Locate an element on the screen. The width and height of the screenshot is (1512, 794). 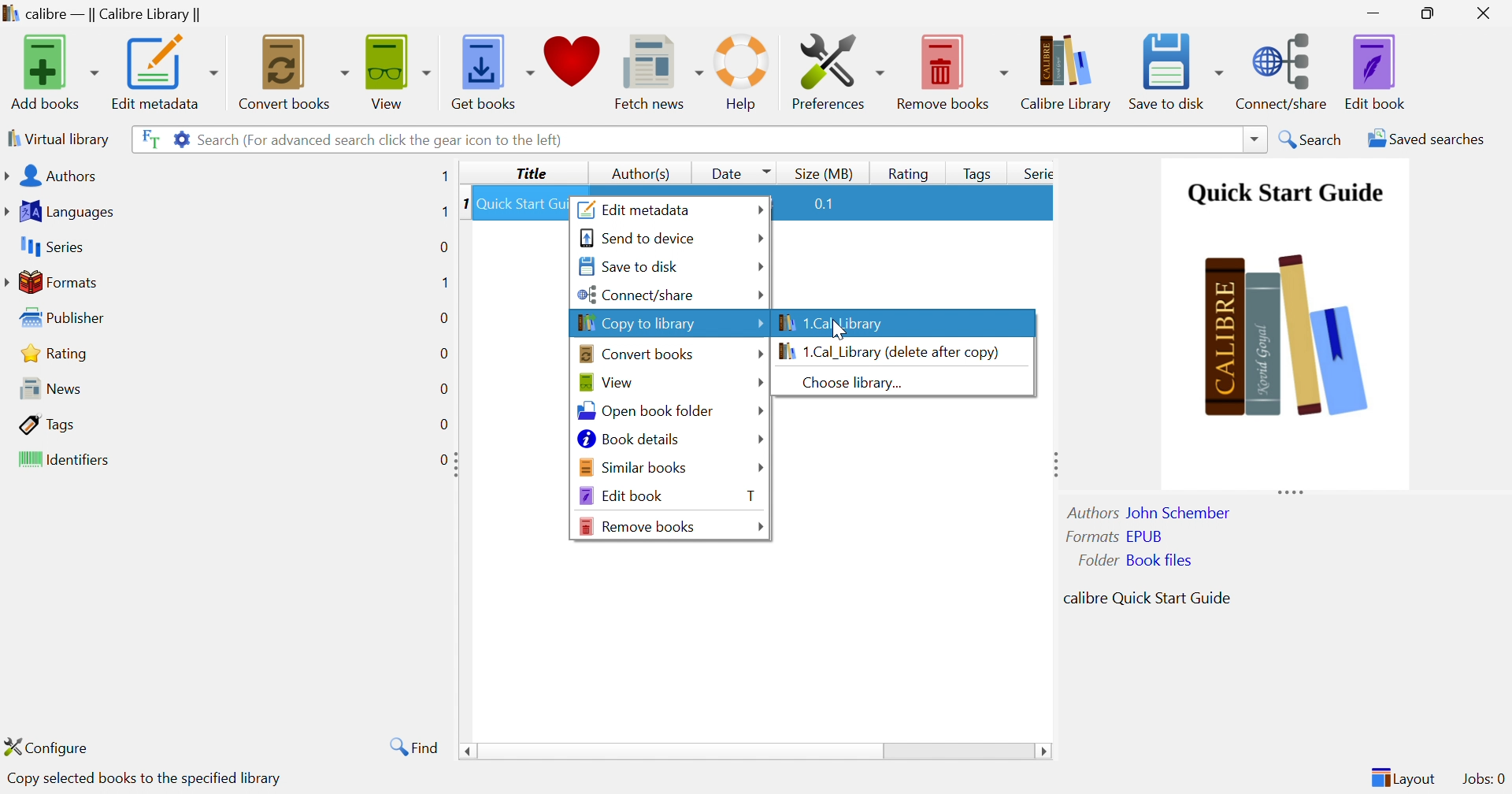
1 is located at coordinates (444, 212).